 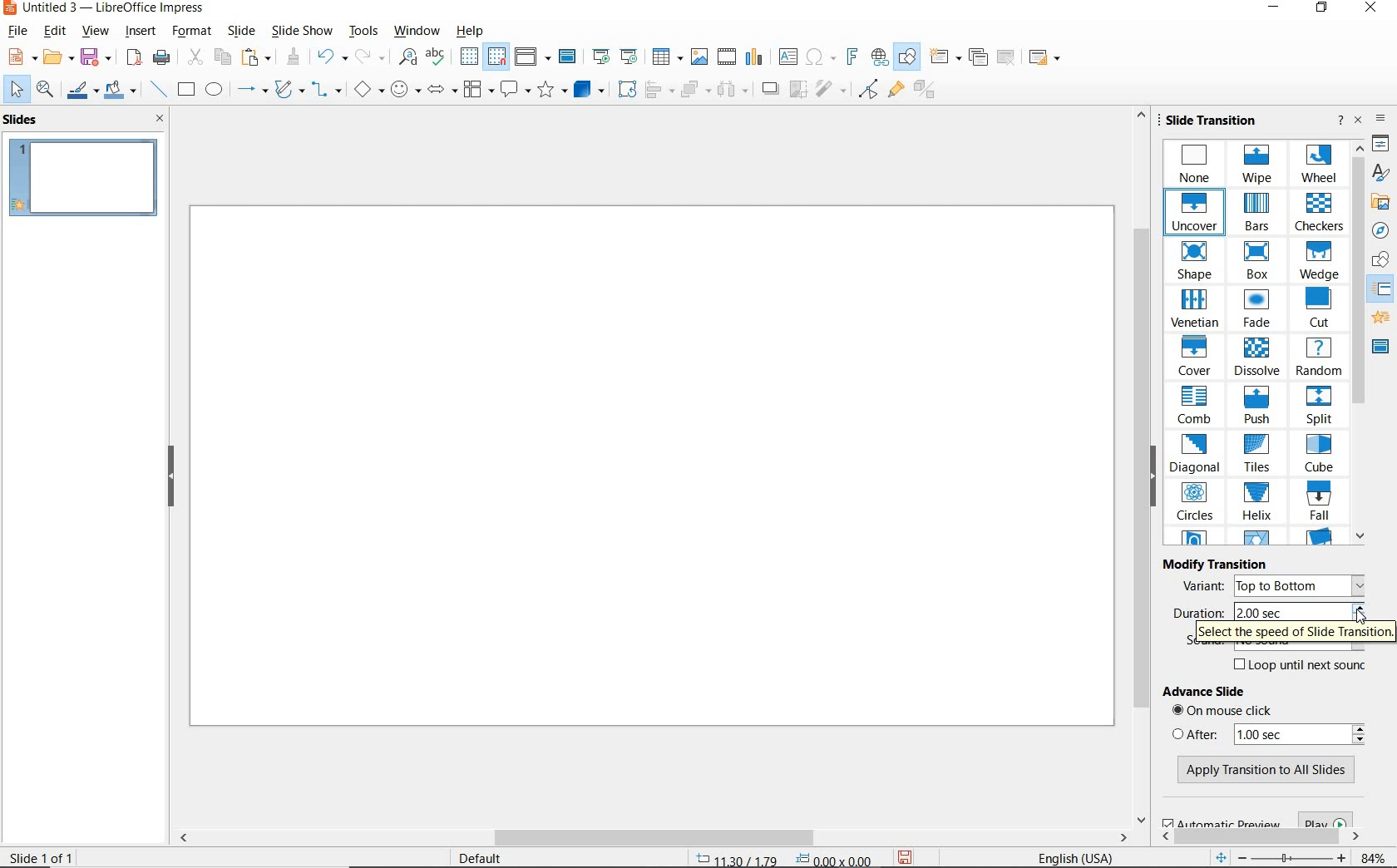 I want to click on ZOOM OUT OR ZOOM IN, so click(x=1278, y=855).